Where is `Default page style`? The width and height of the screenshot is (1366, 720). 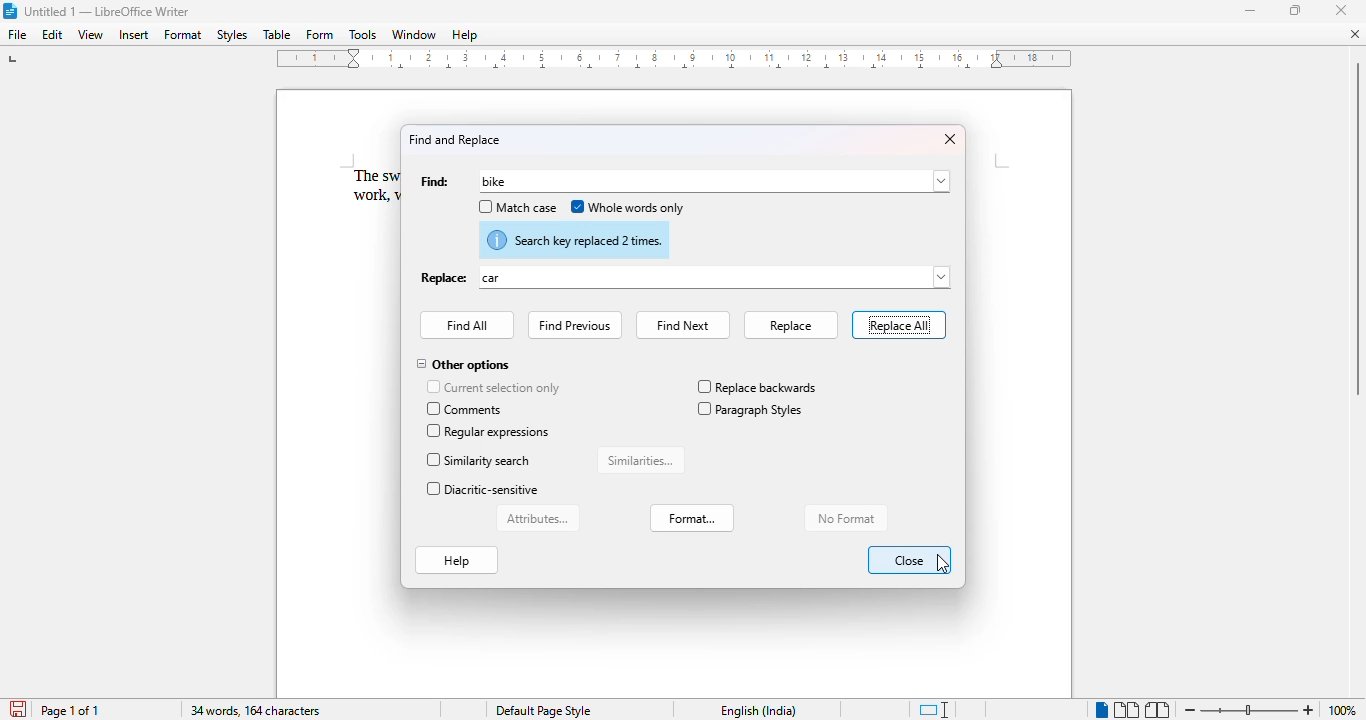
Default page style is located at coordinates (542, 711).